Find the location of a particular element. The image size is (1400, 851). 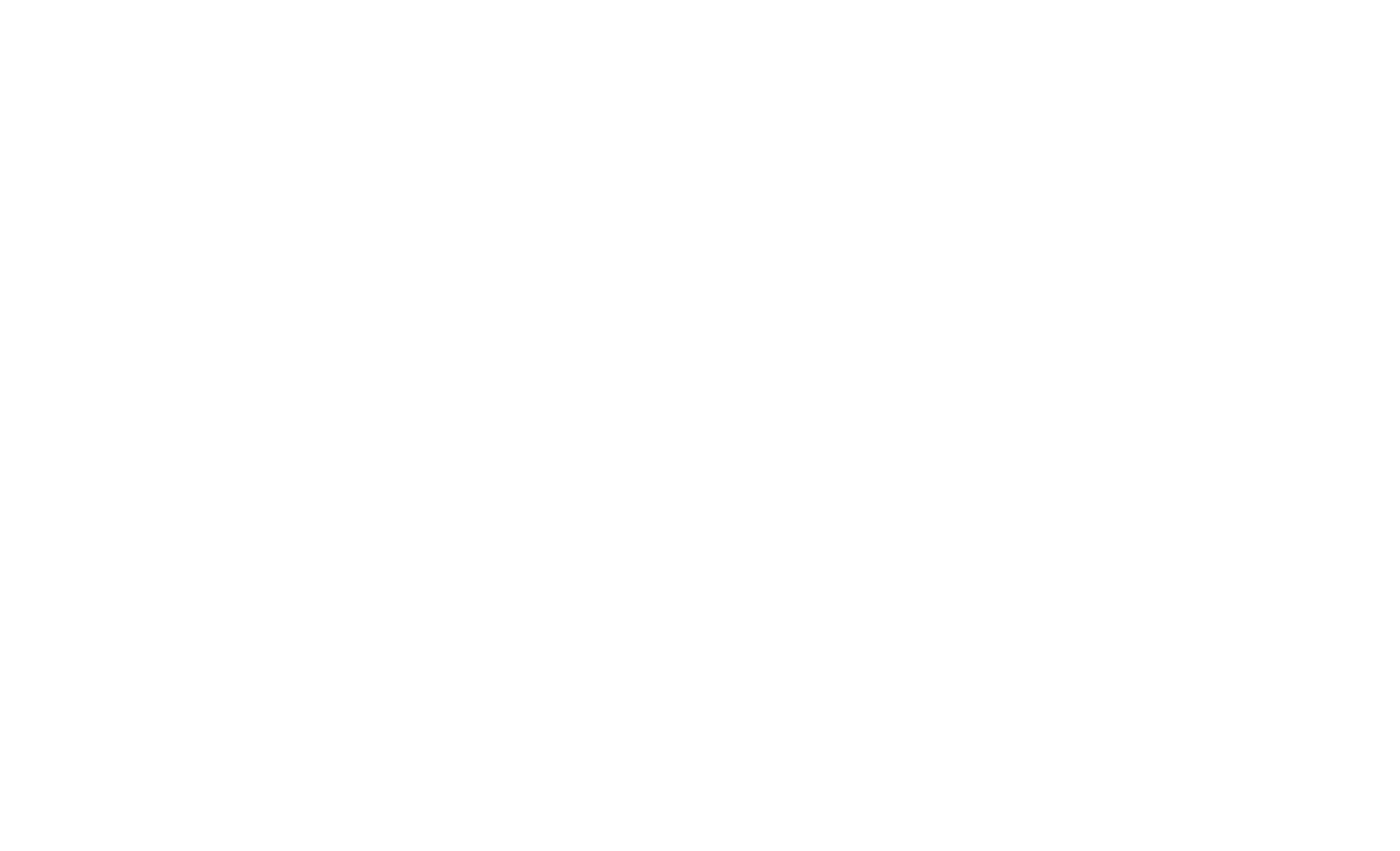

Start virtual camera is located at coordinates (1253, 674).